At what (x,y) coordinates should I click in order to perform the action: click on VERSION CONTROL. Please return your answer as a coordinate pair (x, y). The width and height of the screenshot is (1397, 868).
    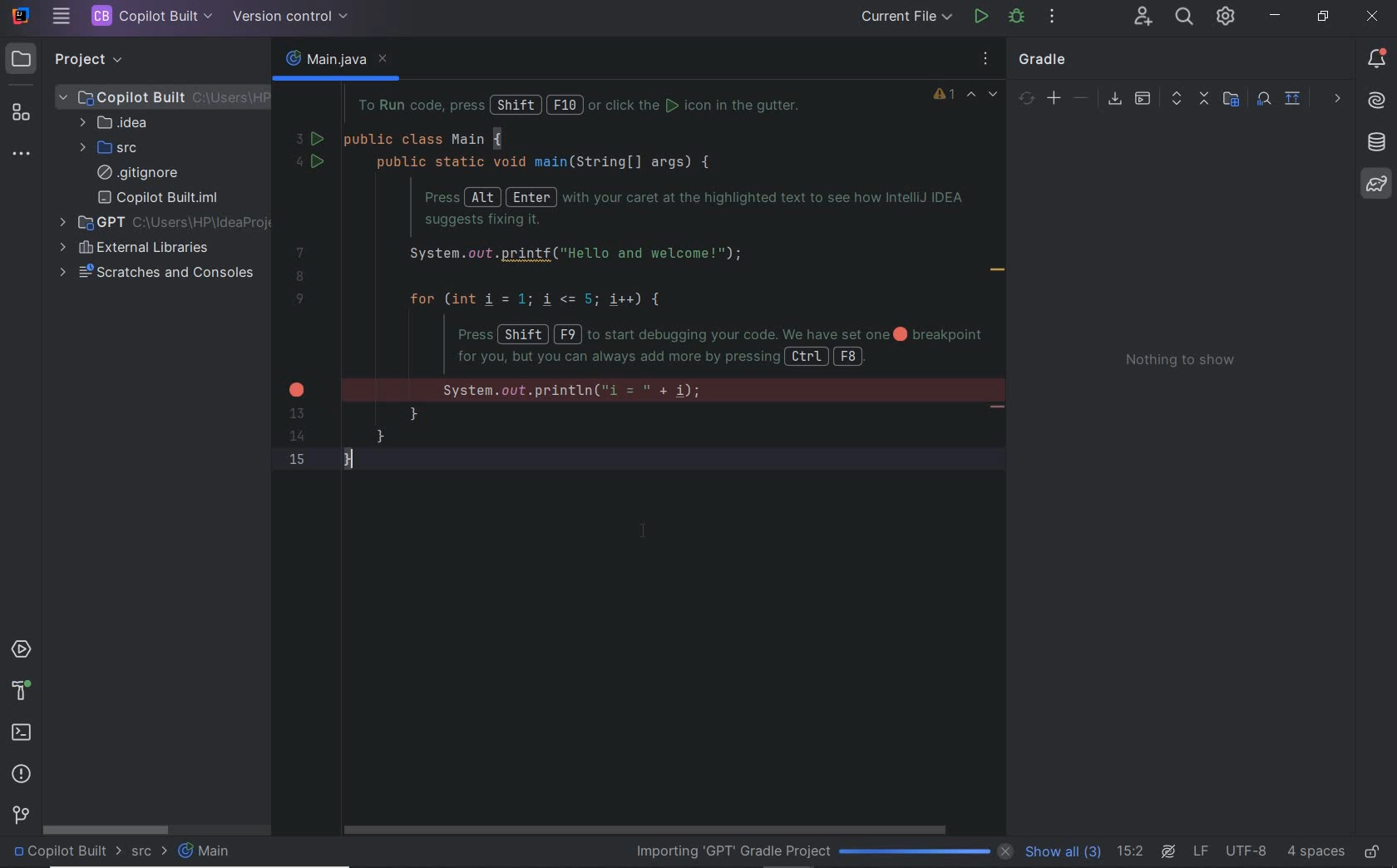
    Looking at the image, I should click on (291, 18).